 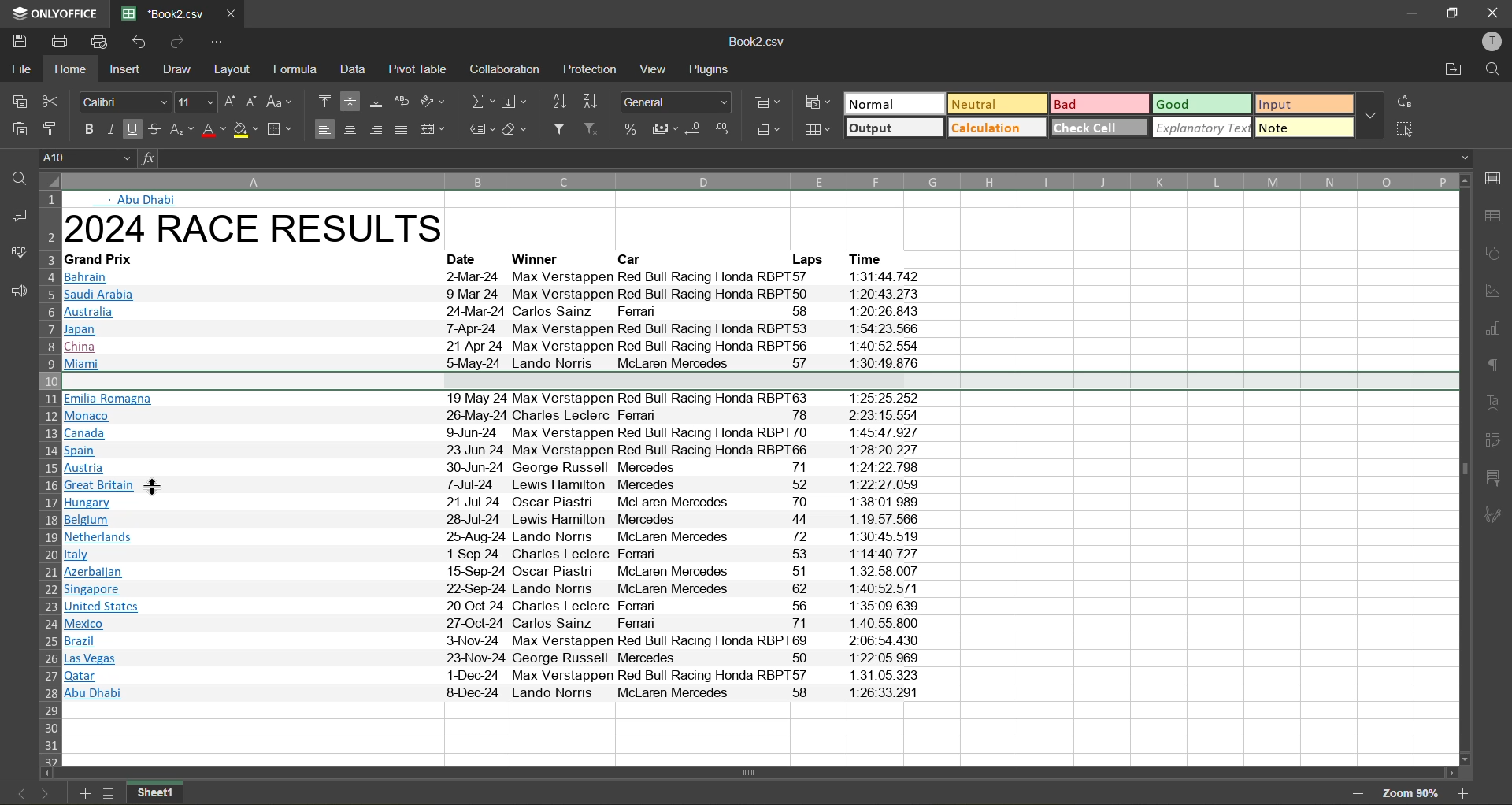 What do you see at coordinates (109, 793) in the screenshot?
I see `list of sheets` at bounding box center [109, 793].